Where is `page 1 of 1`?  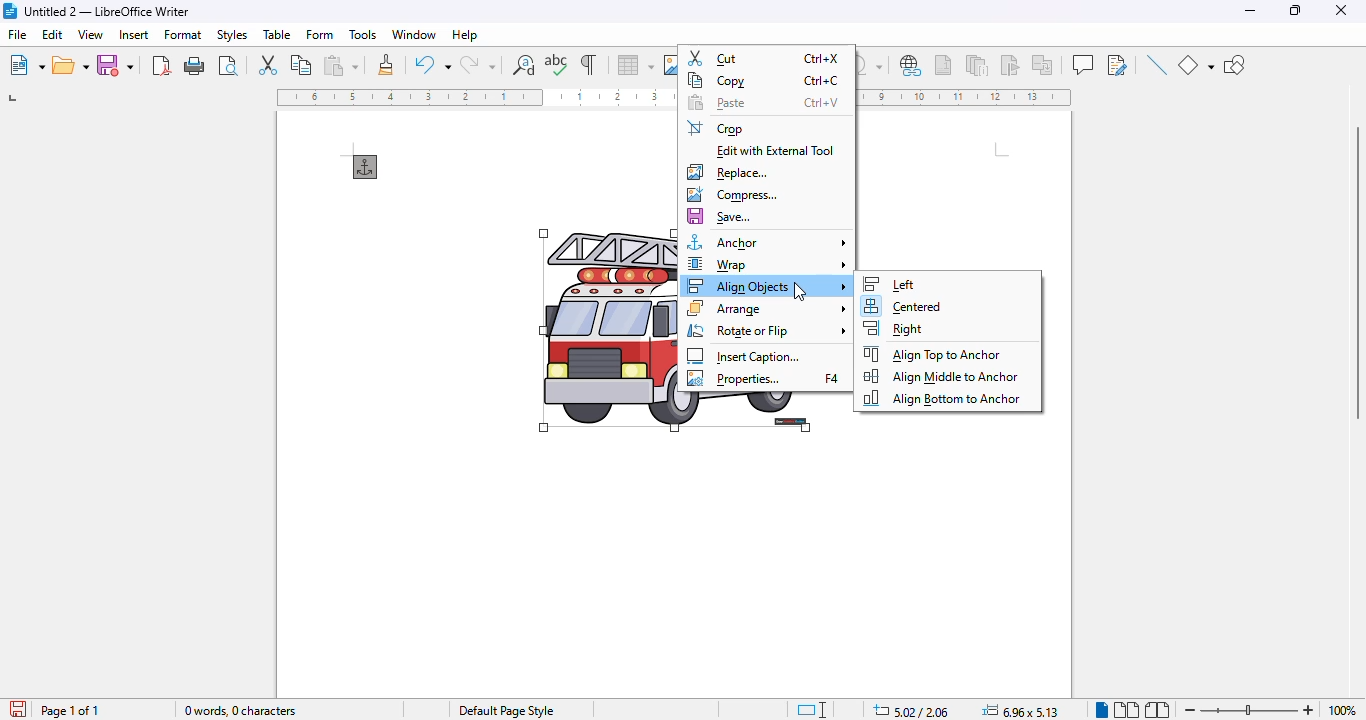 page 1 of 1 is located at coordinates (69, 711).